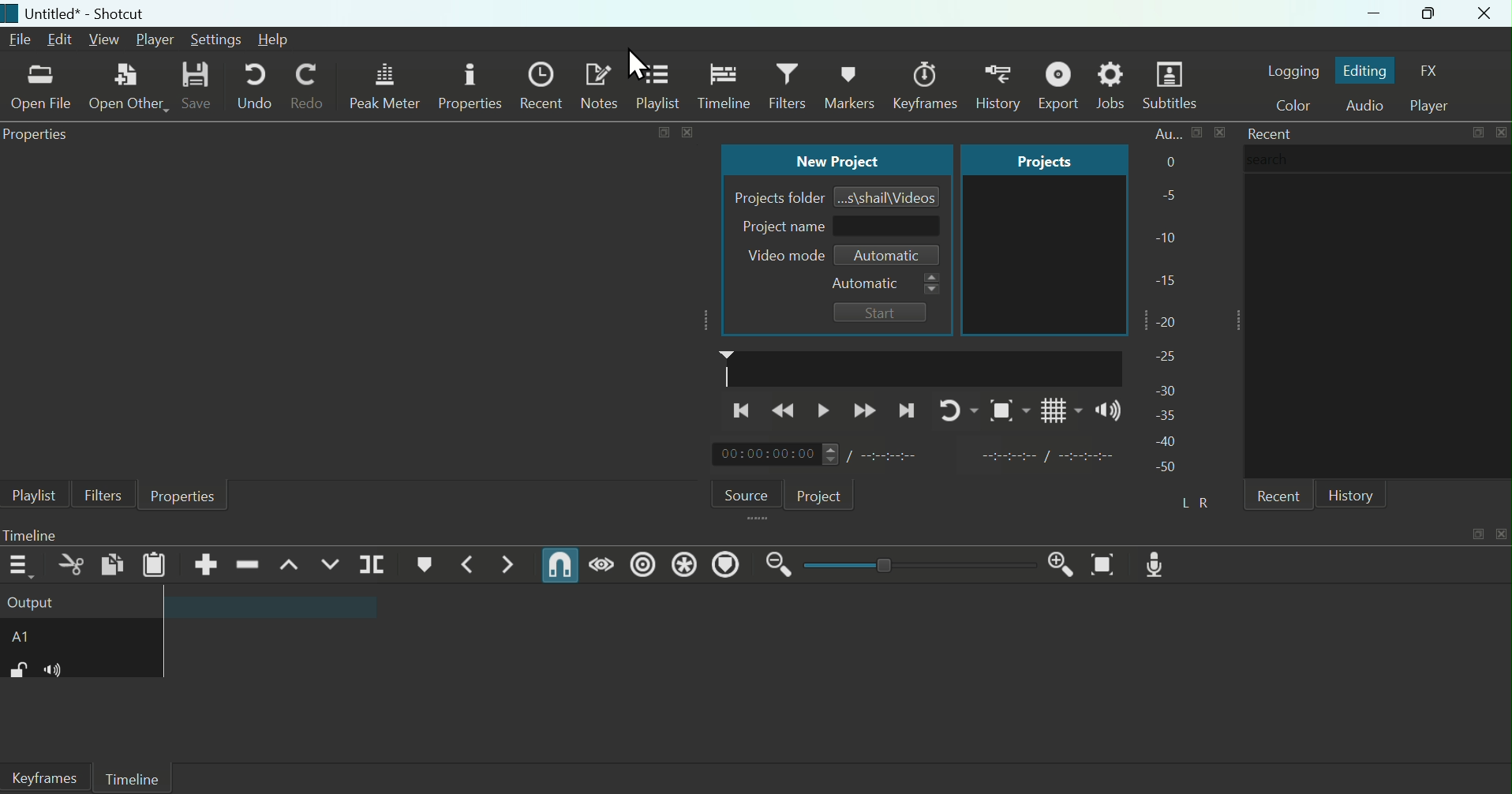 Image resolution: width=1512 pixels, height=794 pixels. I want to click on Playlist, so click(661, 87).